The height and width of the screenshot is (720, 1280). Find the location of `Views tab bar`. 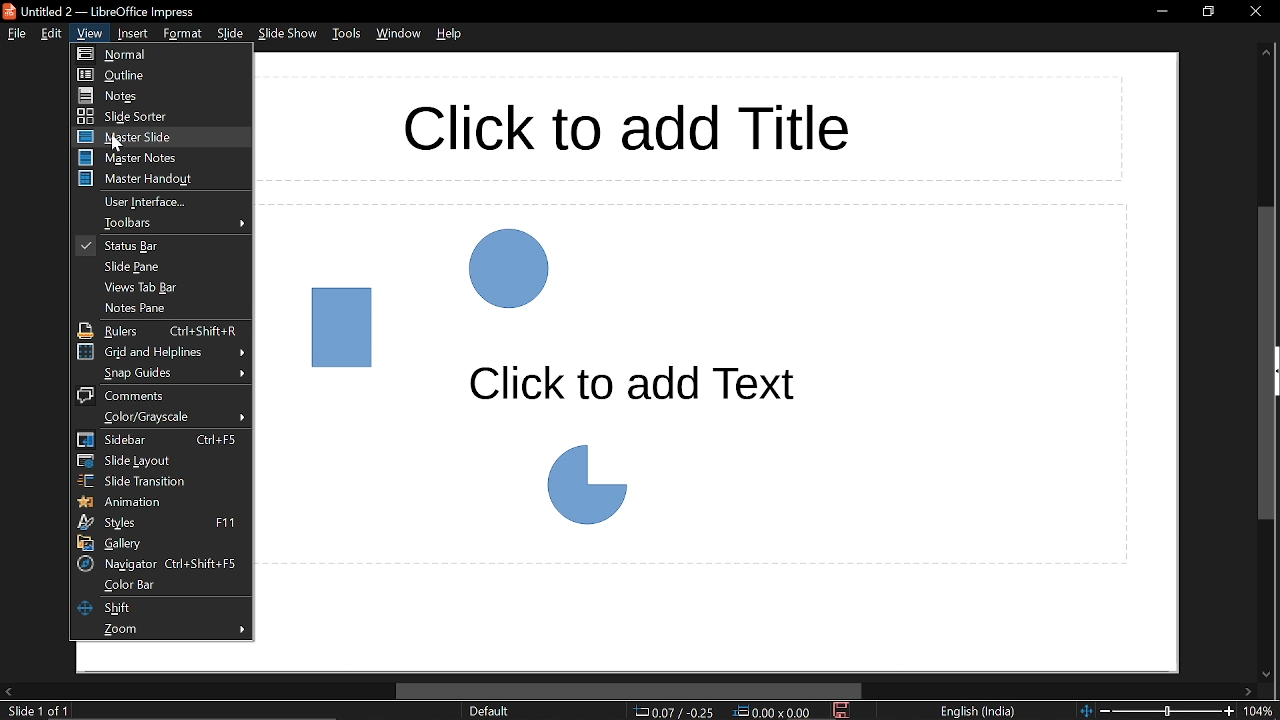

Views tab bar is located at coordinates (161, 288).